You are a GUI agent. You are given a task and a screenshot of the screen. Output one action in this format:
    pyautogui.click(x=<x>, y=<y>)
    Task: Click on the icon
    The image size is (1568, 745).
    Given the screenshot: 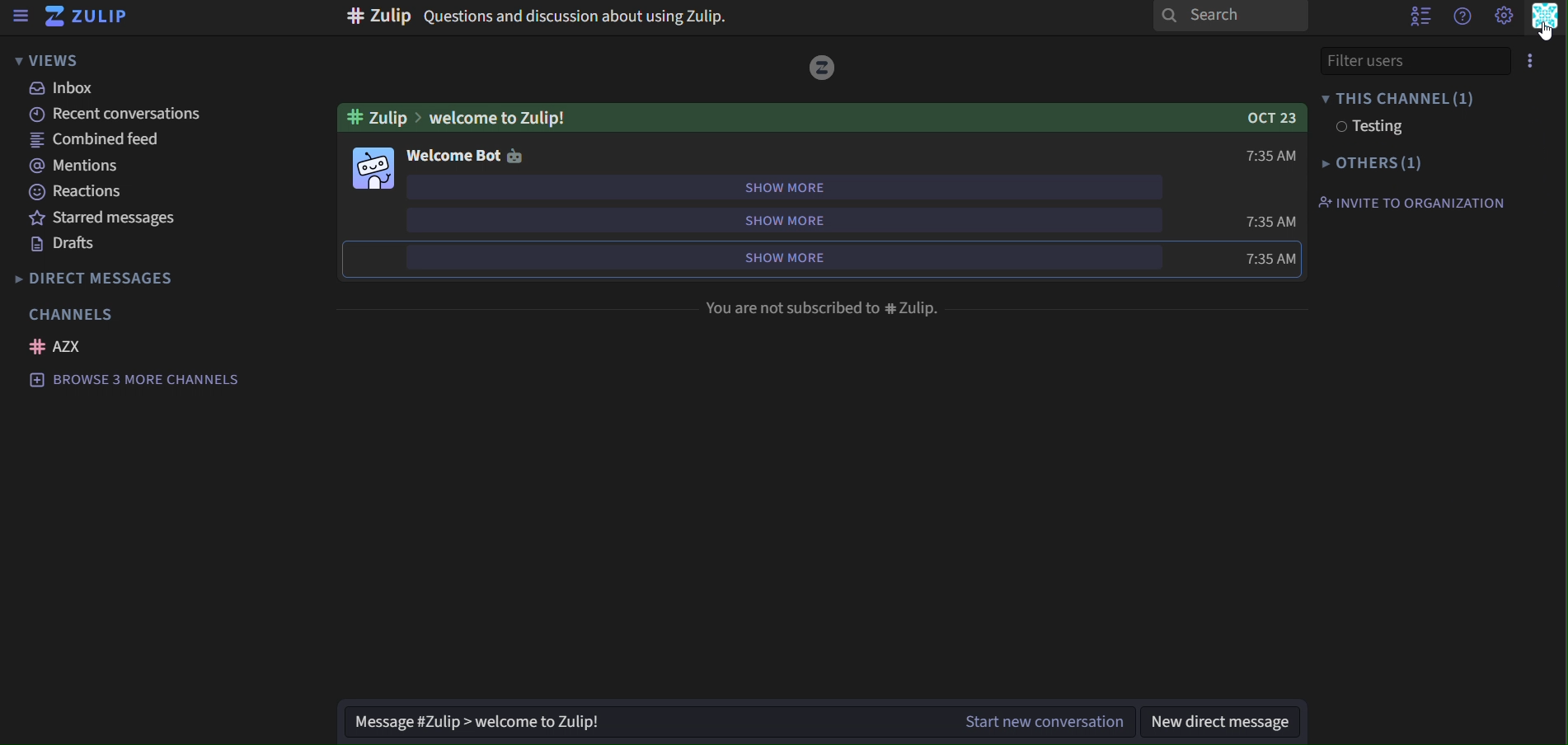 What is the action you would take?
    pyautogui.click(x=828, y=68)
    